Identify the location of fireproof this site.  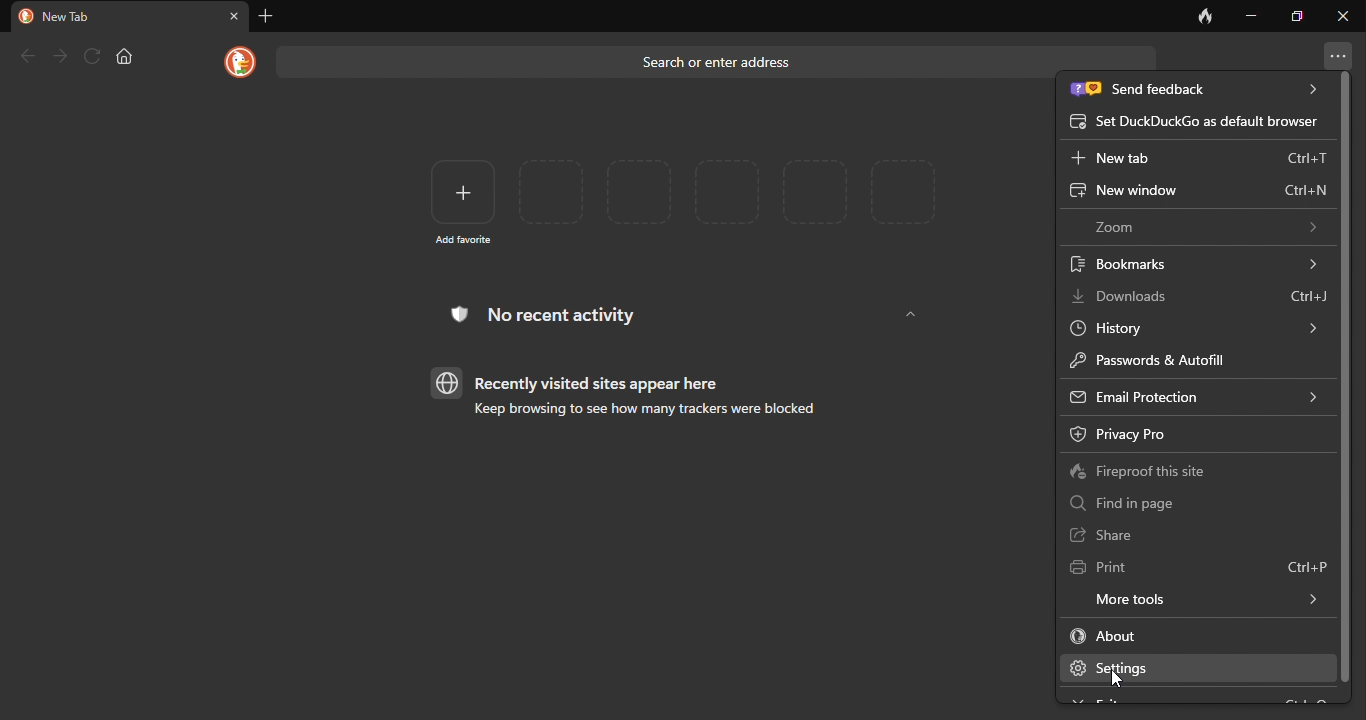
(1149, 472).